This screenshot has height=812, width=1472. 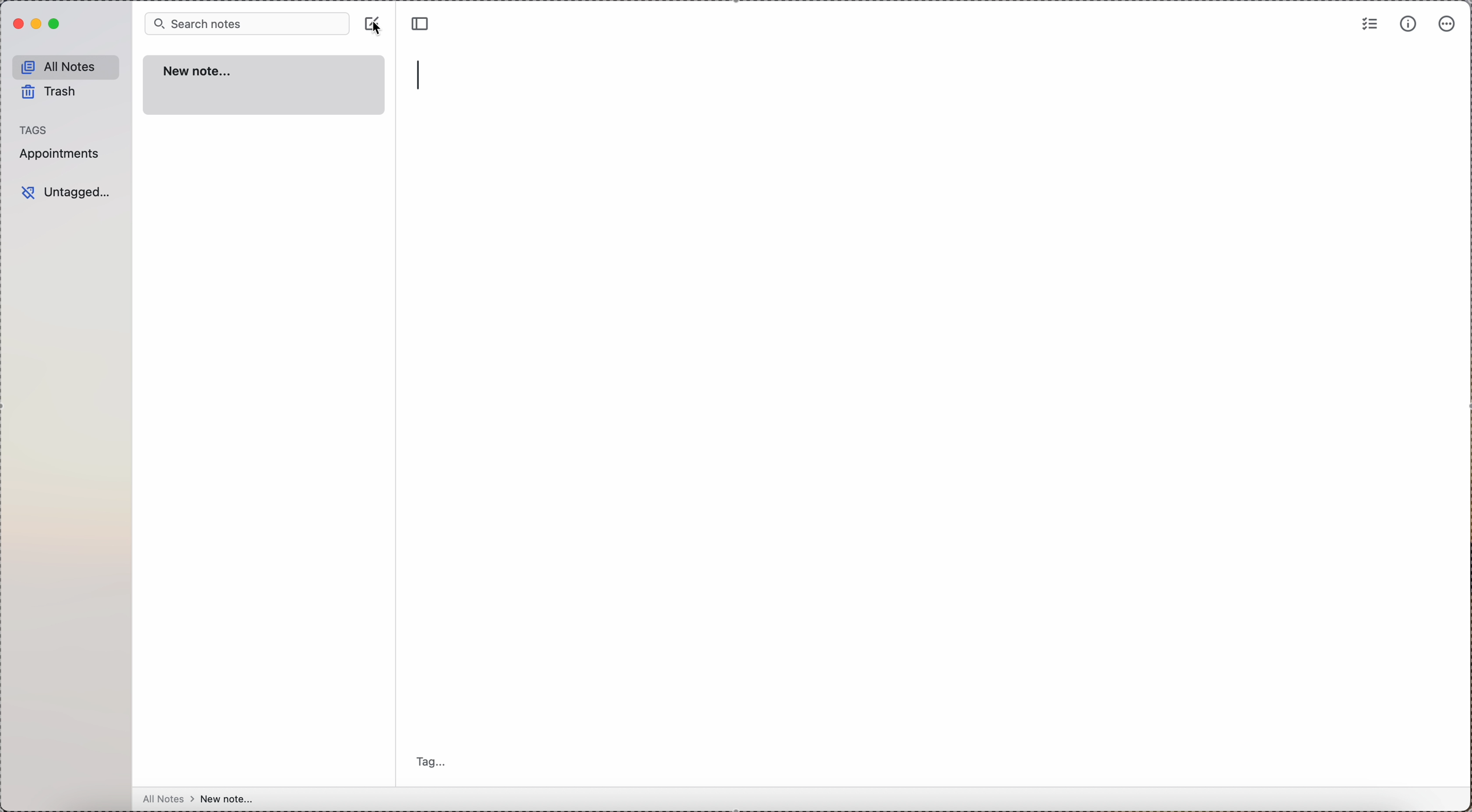 What do you see at coordinates (422, 74) in the screenshot?
I see `type` at bounding box center [422, 74].